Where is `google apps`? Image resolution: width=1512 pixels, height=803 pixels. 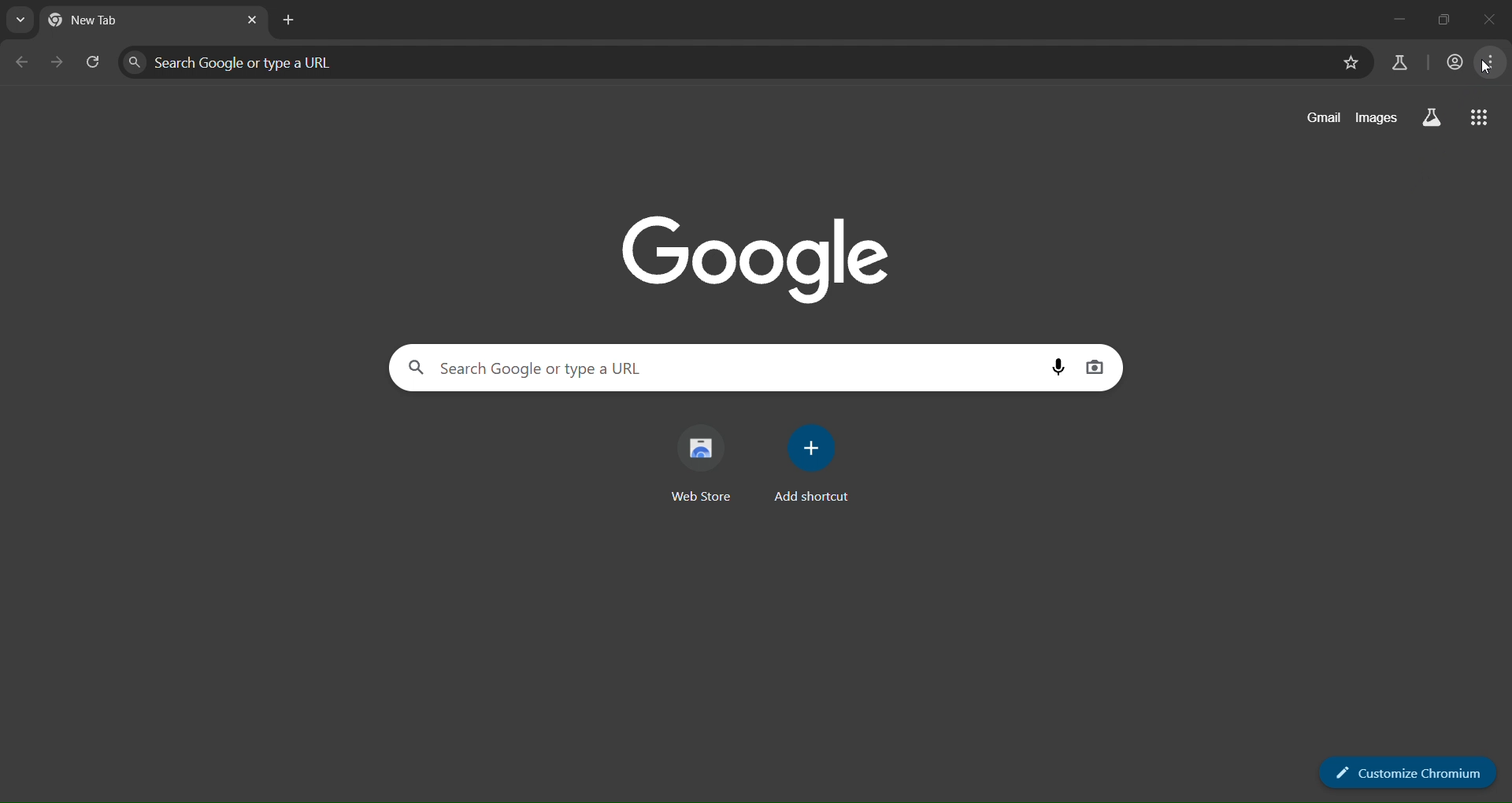 google apps is located at coordinates (1480, 116).